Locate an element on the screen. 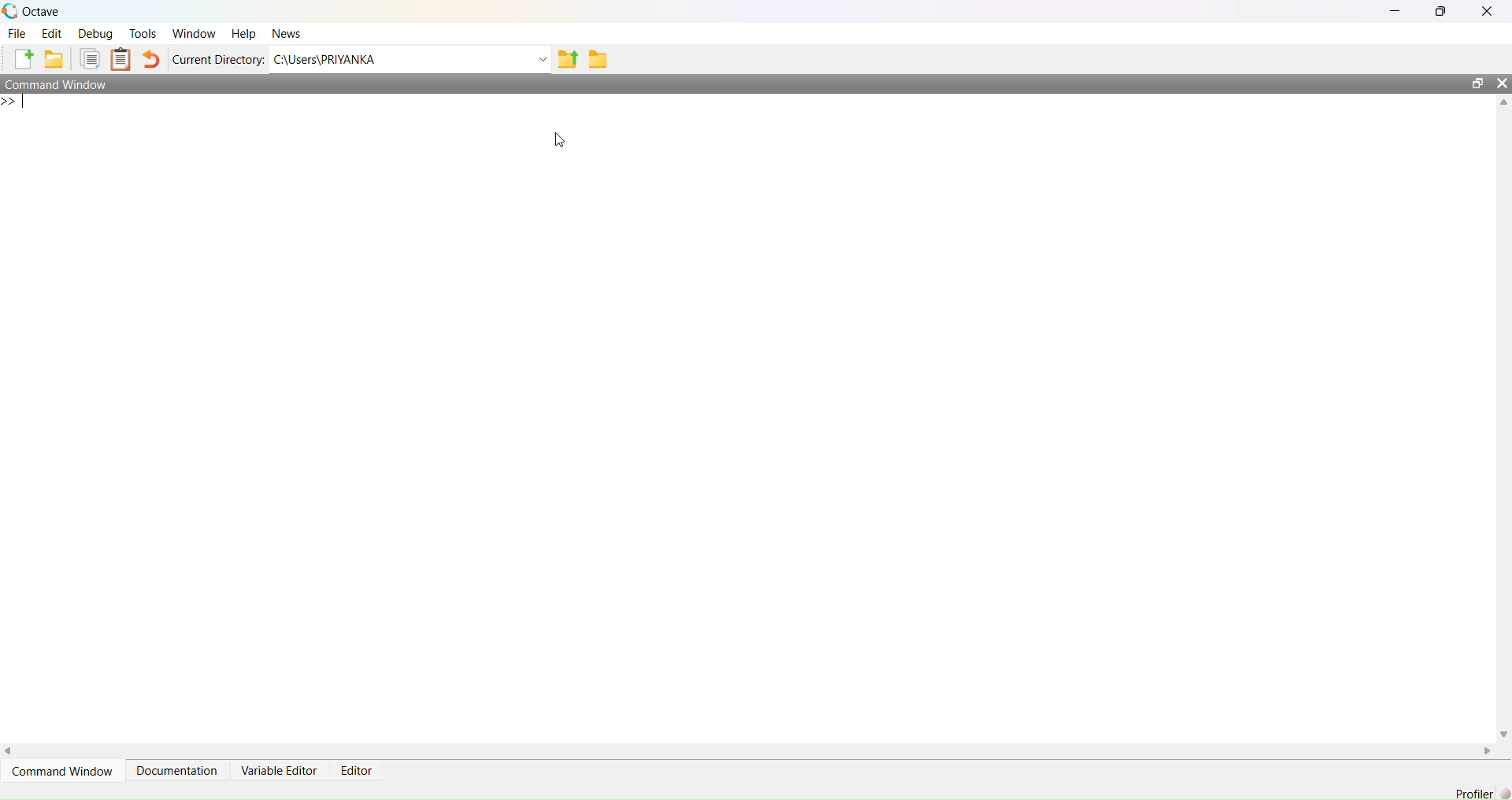 The width and height of the screenshot is (1512, 800). Window is located at coordinates (193, 34).